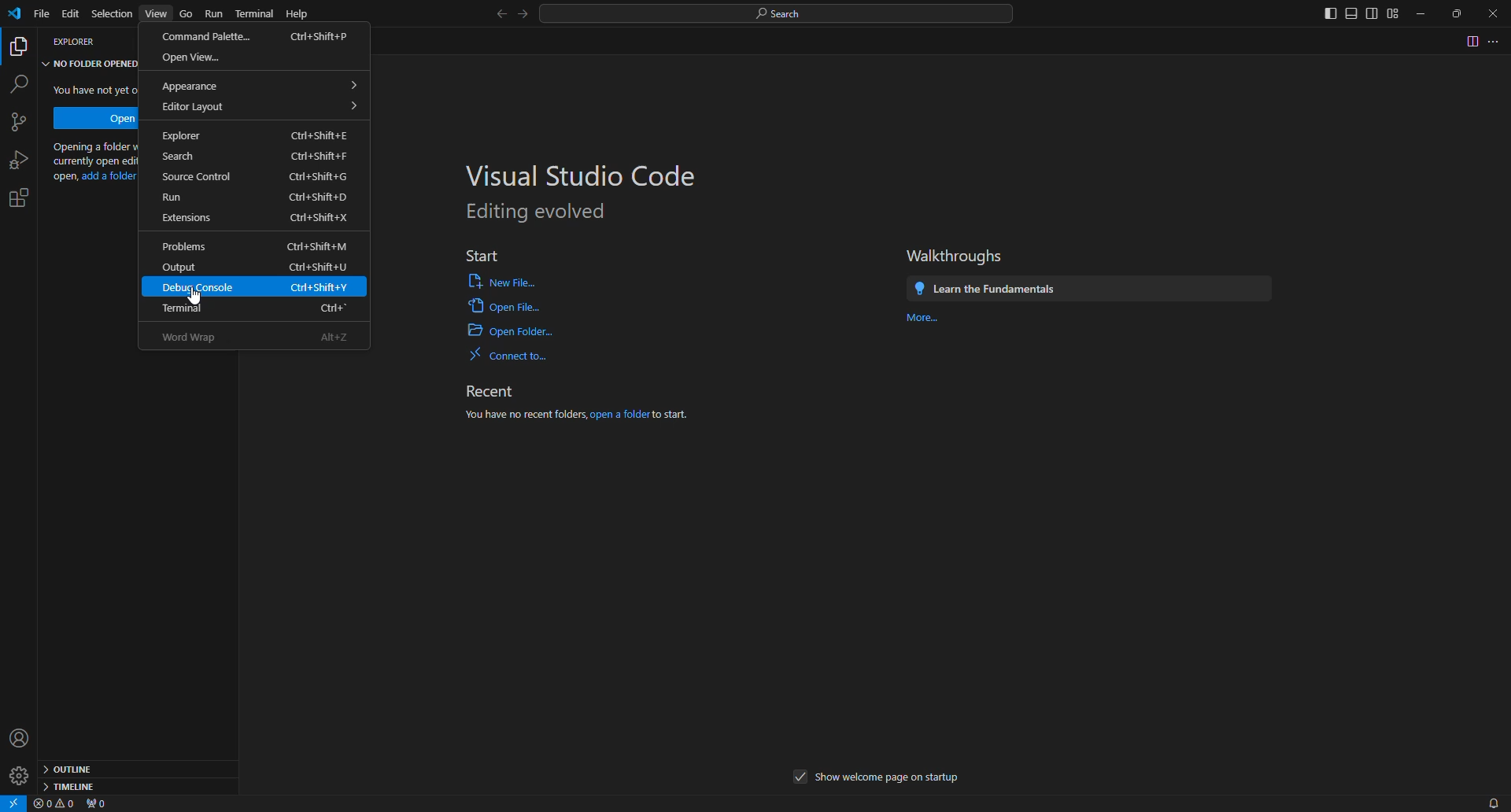 This screenshot has height=812, width=1511. What do you see at coordinates (198, 57) in the screenshot?
I see `Open View` at bounding box center [198, 57].